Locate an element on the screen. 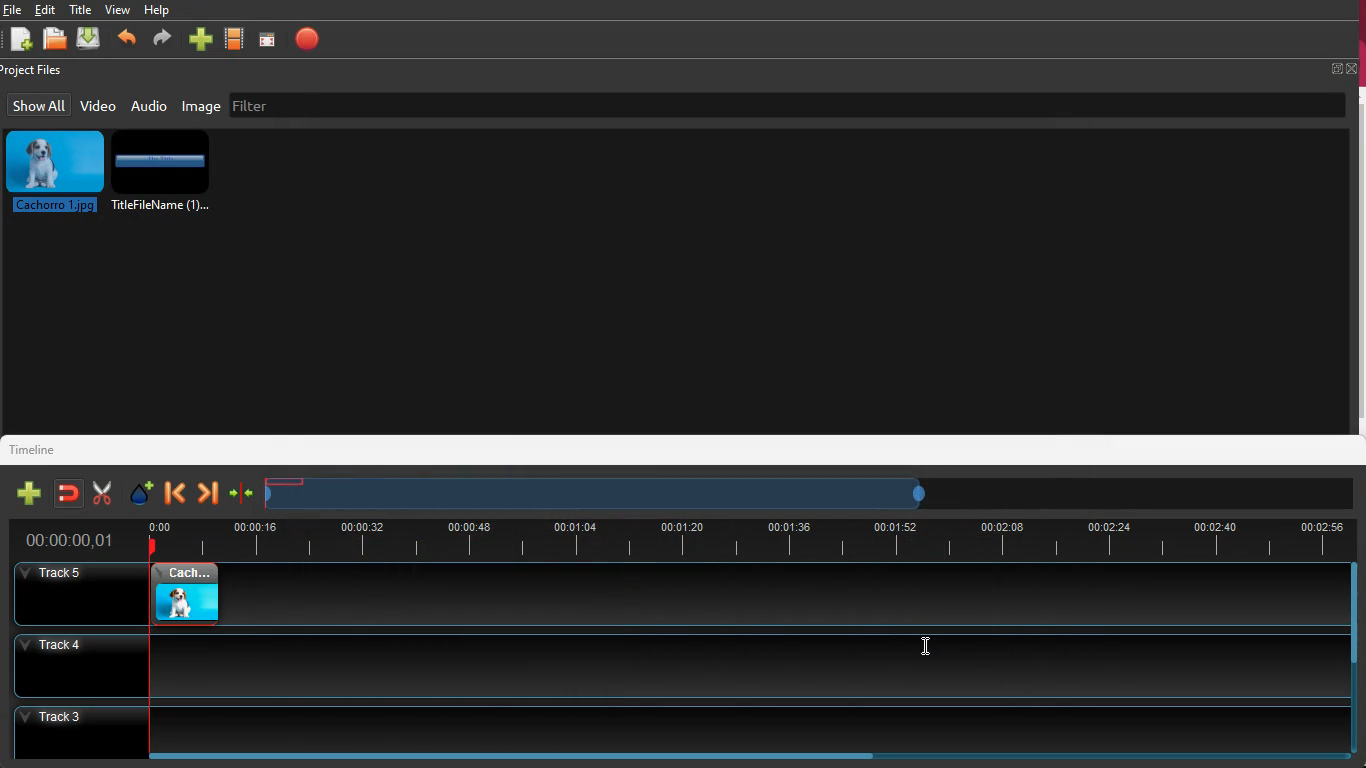 This screenshot has width=1366, height=768. image is located at coordinates (177, 596).